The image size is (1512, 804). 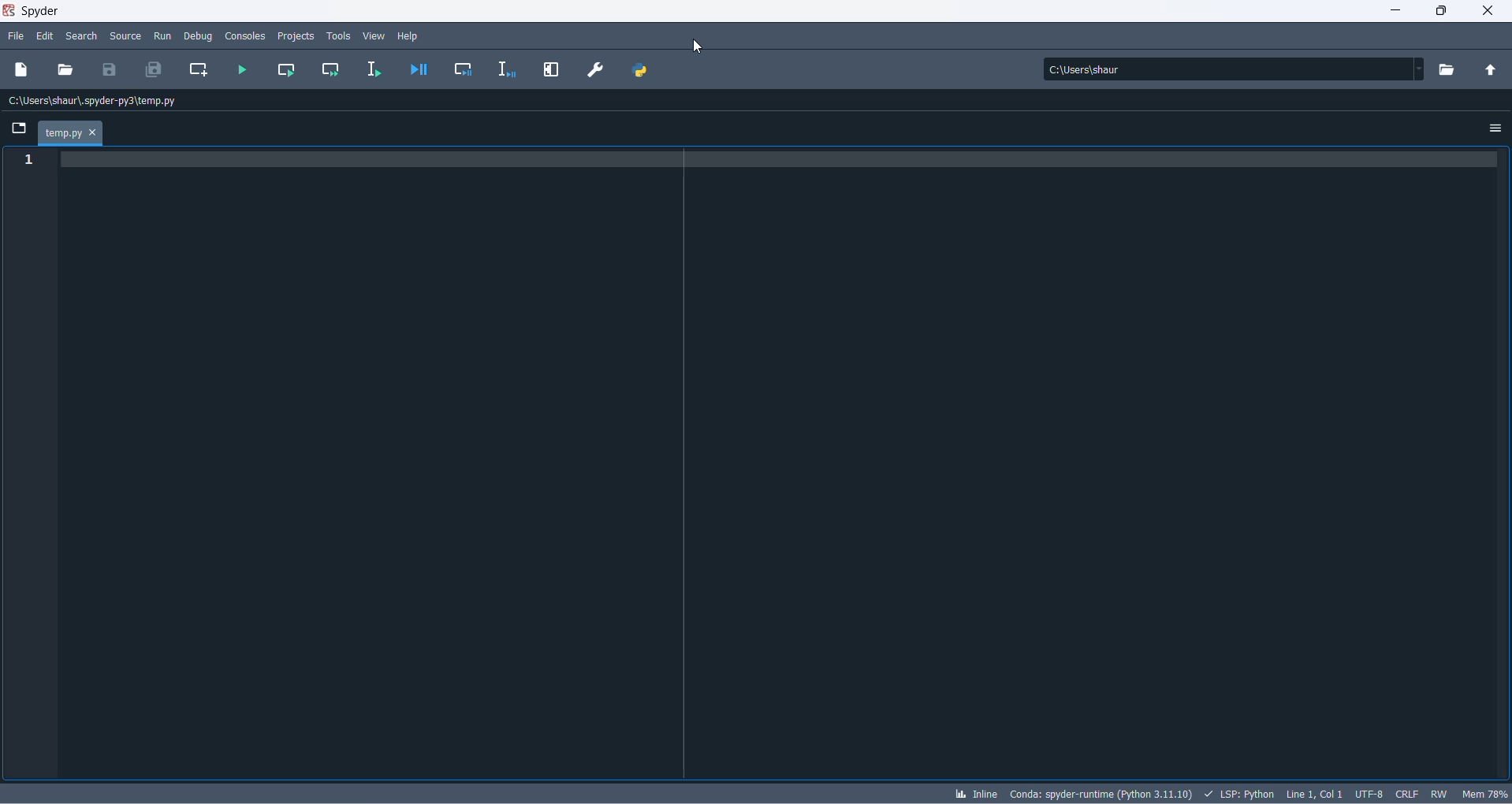 What do you see at coordinates (1408, 794) in the screenshot?
I see `file EOL status` at bounding box center [1408, 794].